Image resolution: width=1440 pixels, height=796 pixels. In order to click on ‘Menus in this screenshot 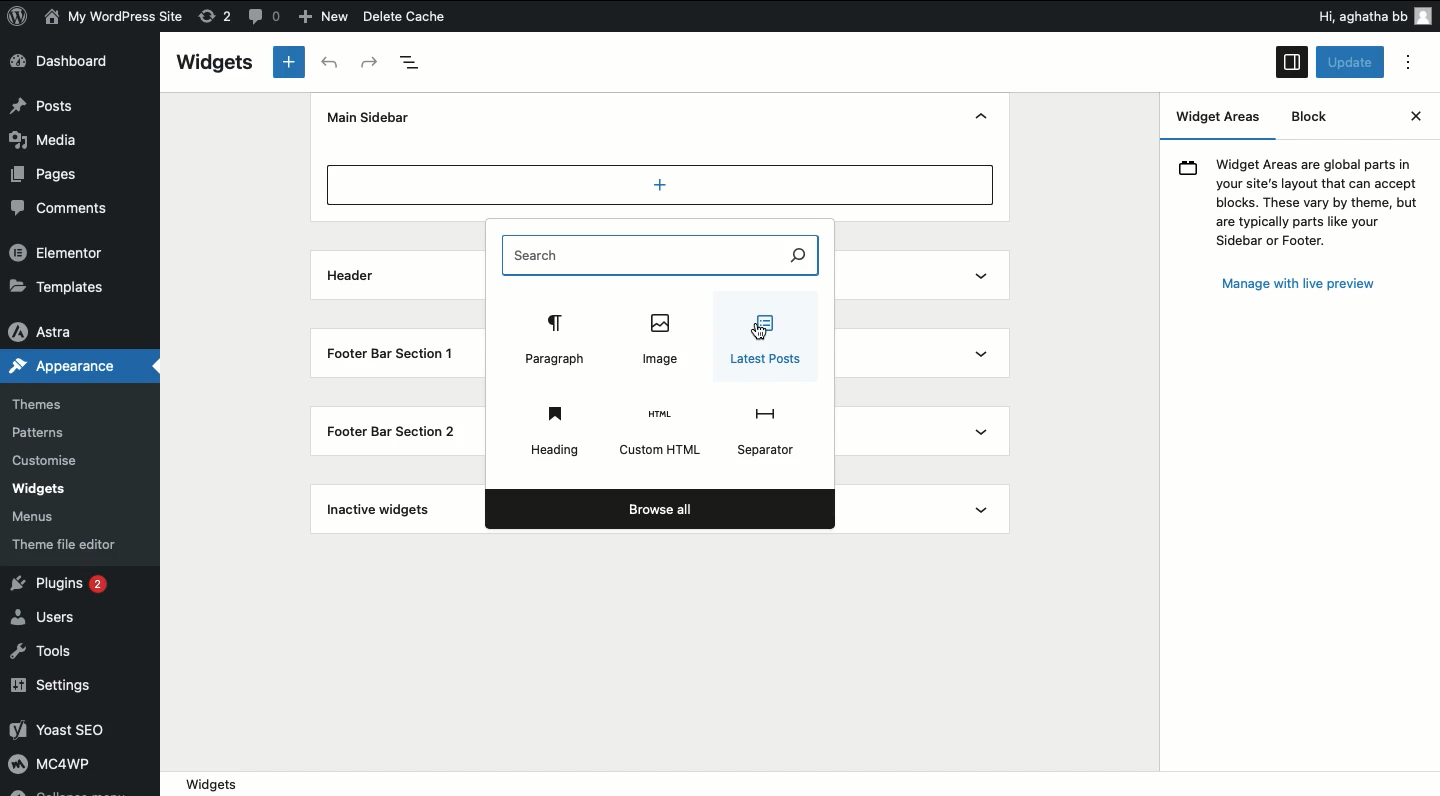, I will do `click(39, 515)`.